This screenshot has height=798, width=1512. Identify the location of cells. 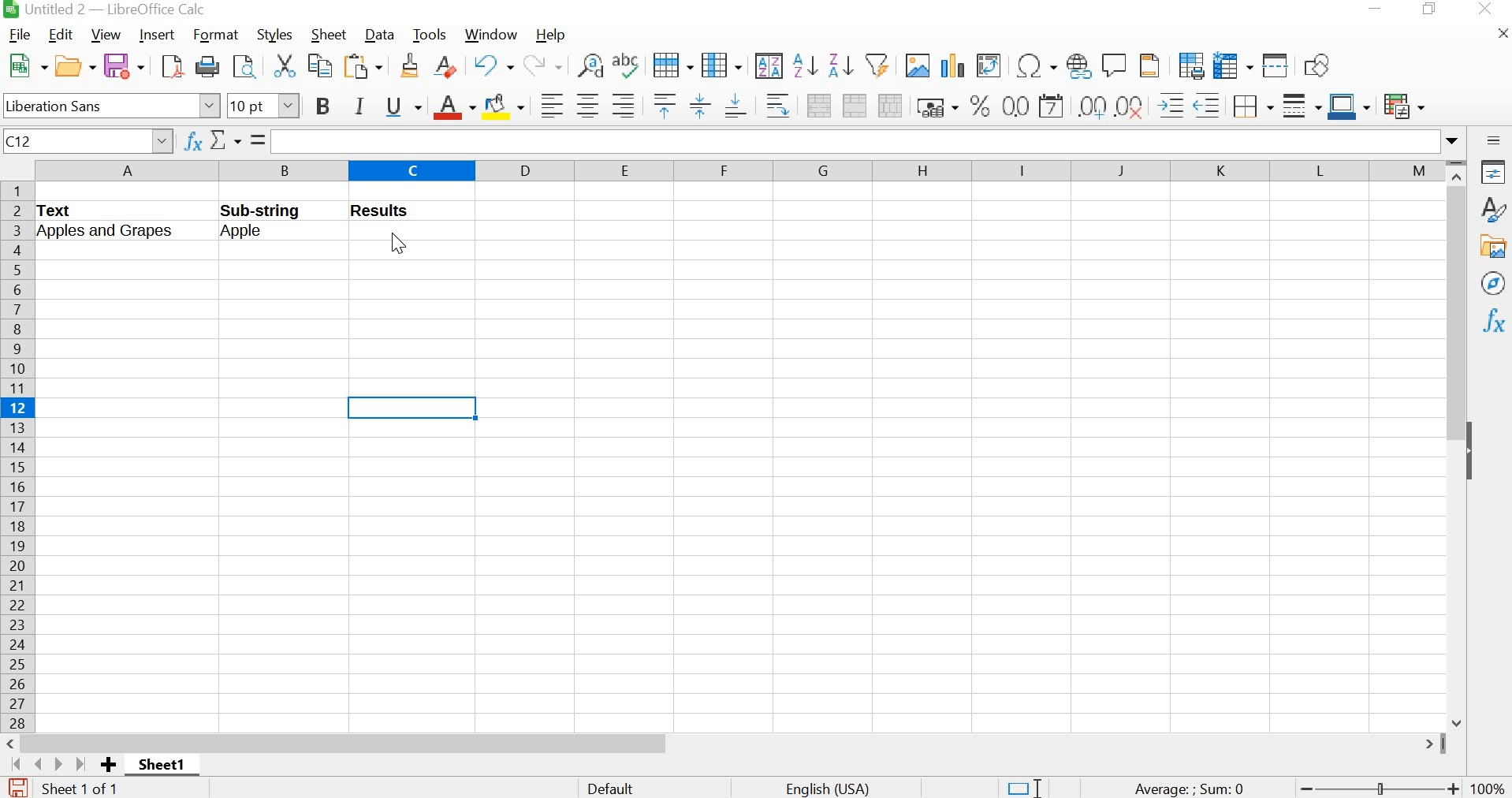
(974, 456).